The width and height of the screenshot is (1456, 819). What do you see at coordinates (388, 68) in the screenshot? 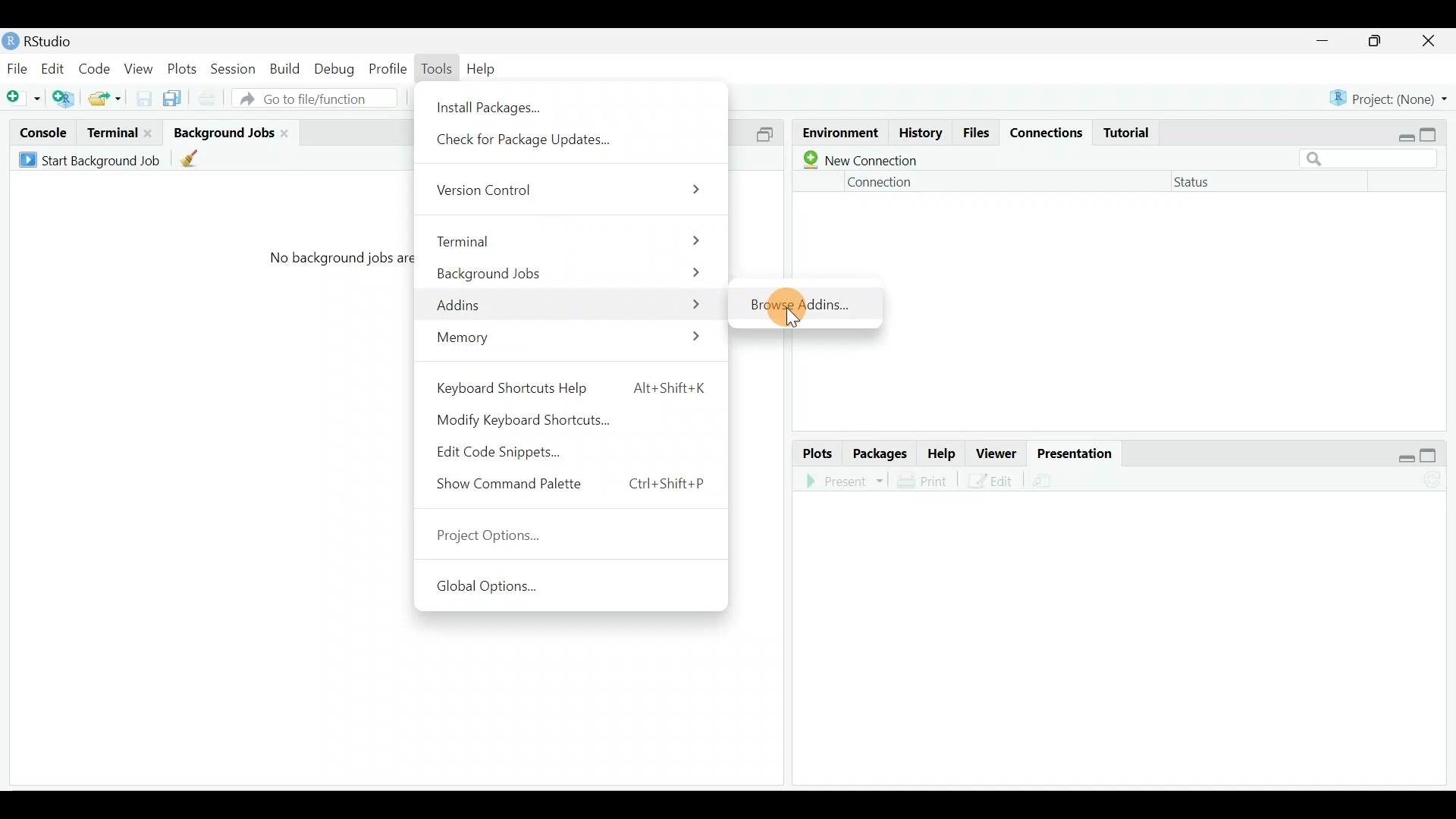
I see `Profile` at bounding box center [388, 68].